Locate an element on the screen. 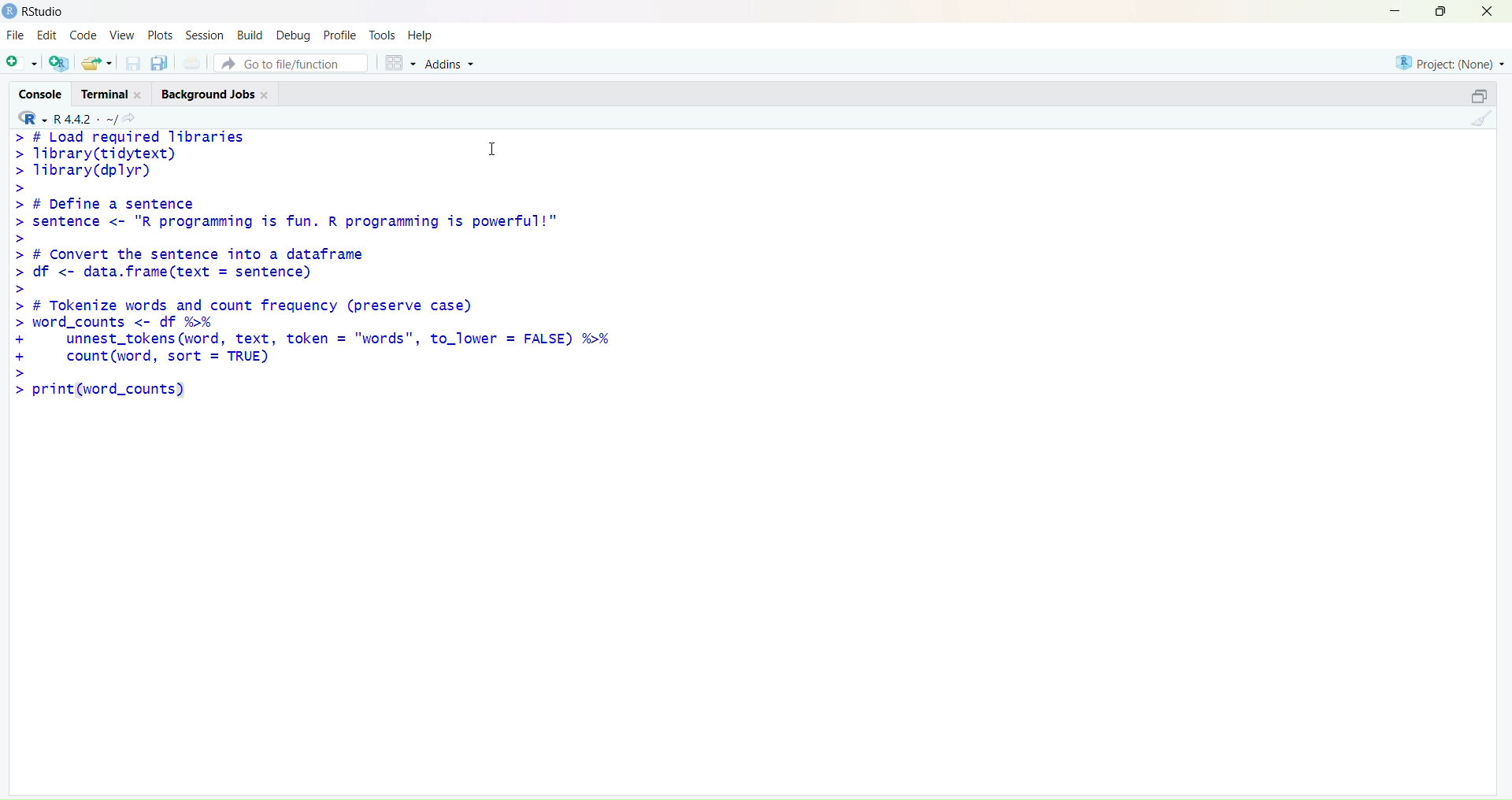  project(None) is located at coordinates (1447, 62).